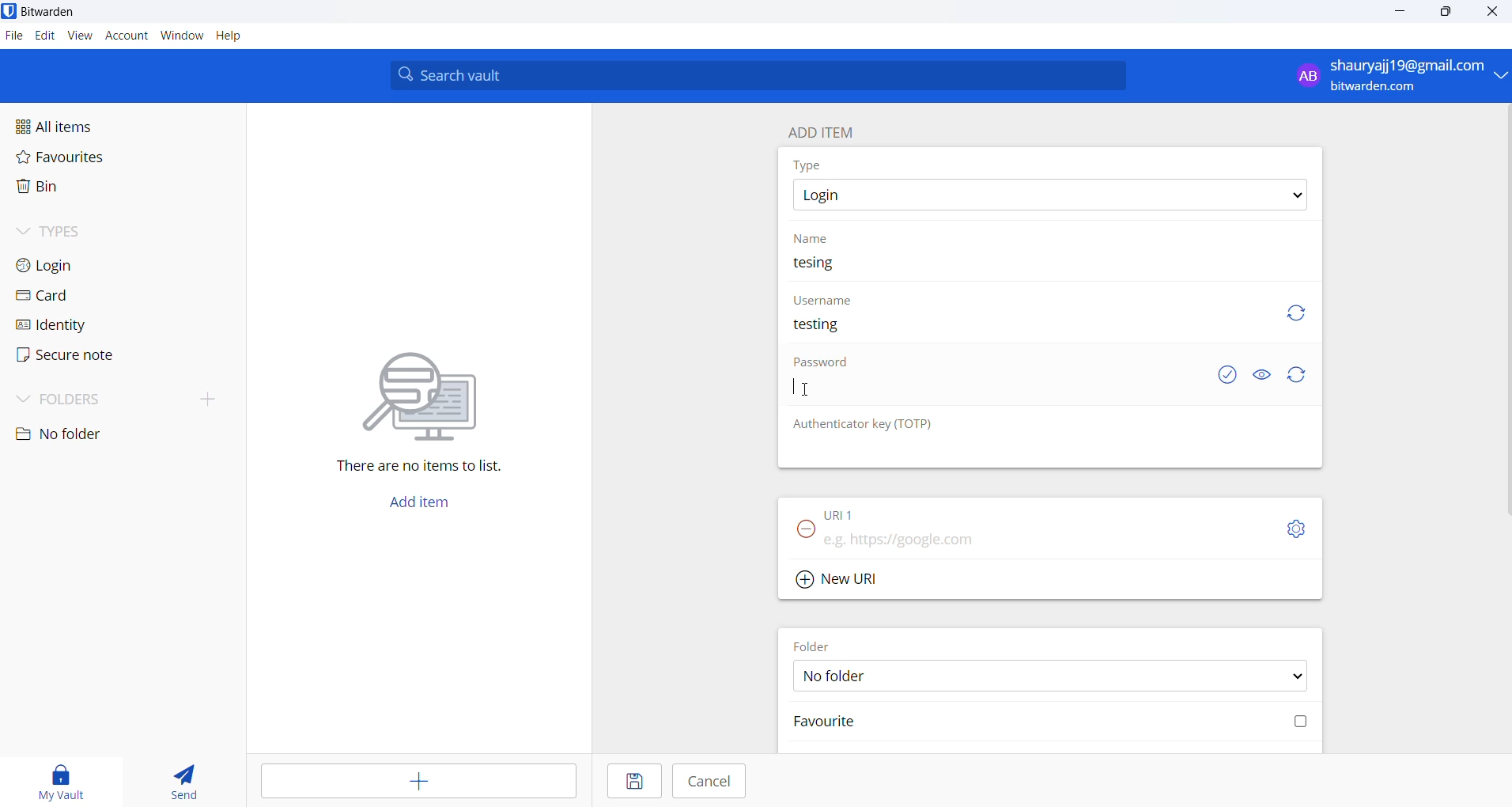  Describe the element at coordinates (811, 240) in the screenshot. I see `name heading` at that location.